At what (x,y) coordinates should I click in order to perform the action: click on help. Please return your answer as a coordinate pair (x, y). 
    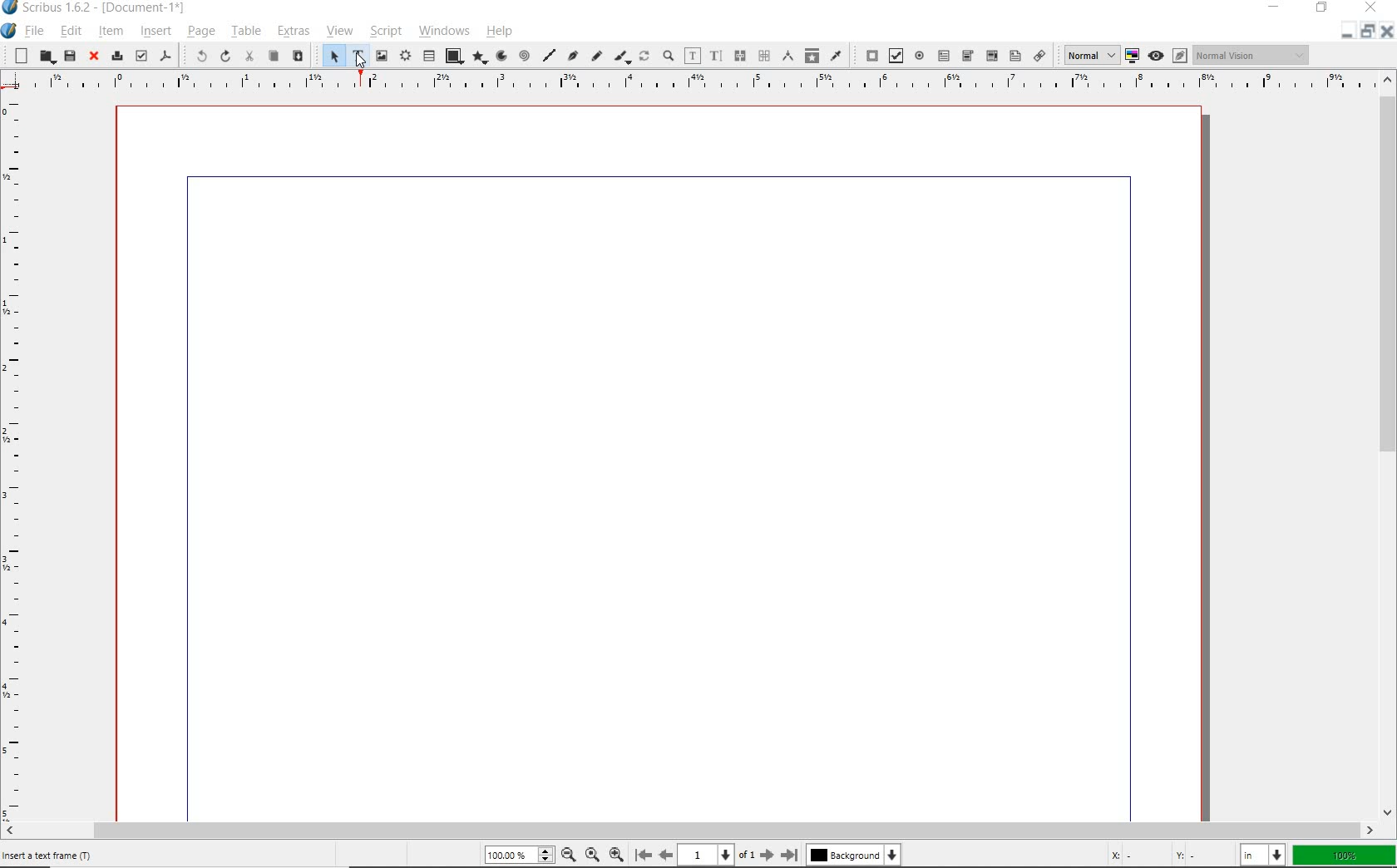
    Looking at the image, I should click on (499, 33).